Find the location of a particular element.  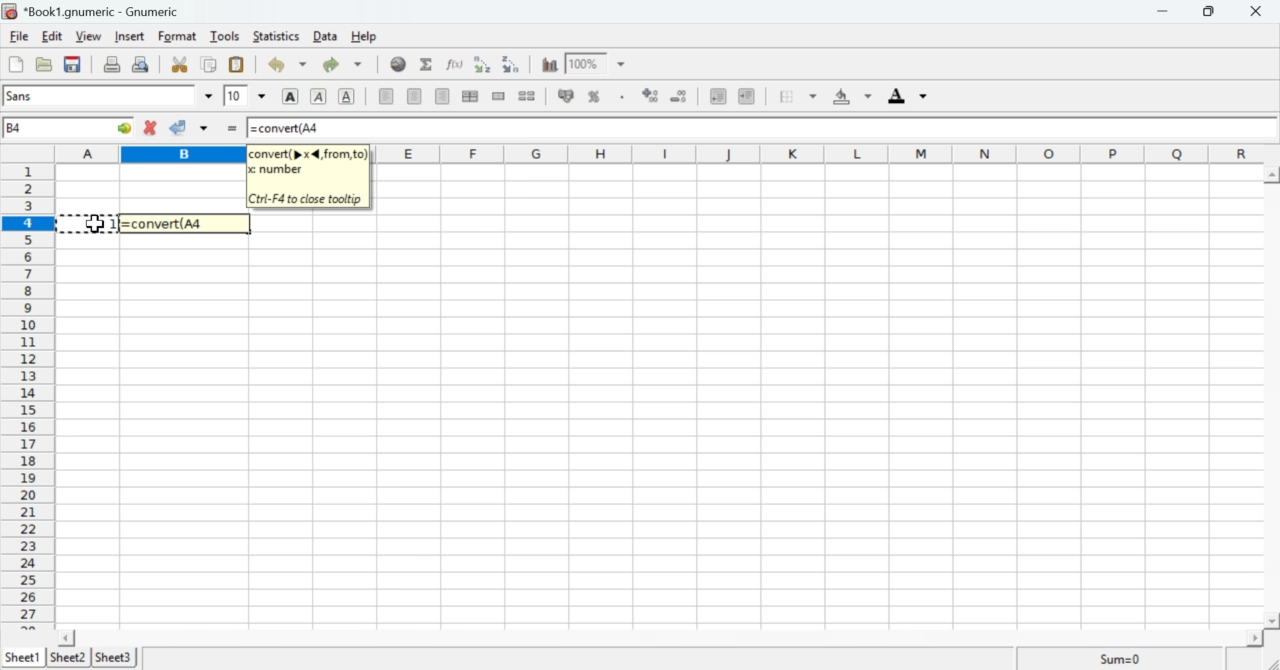

Insert is located at coordinates (130, 36).